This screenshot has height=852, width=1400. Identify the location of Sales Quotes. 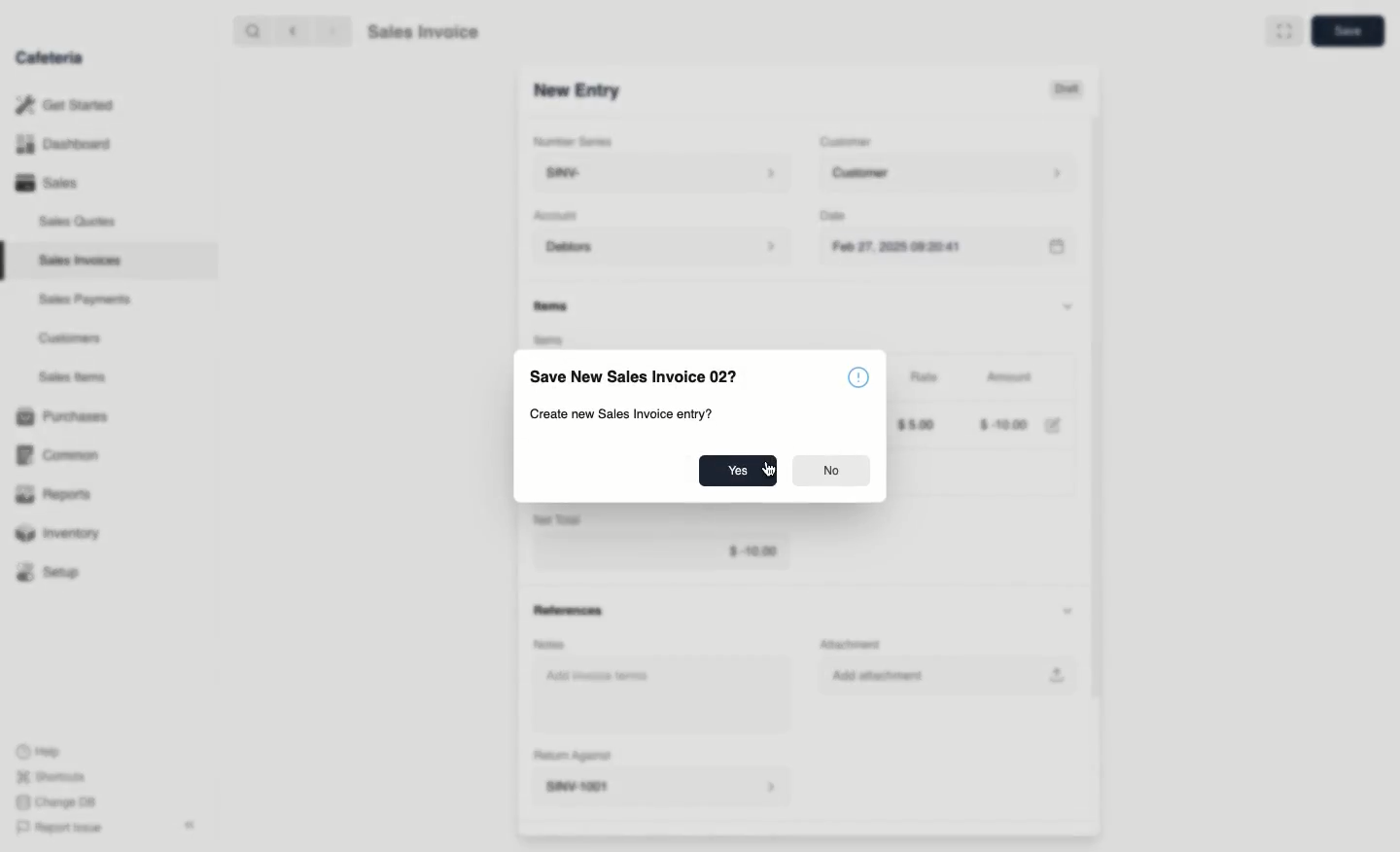
(78, 224).